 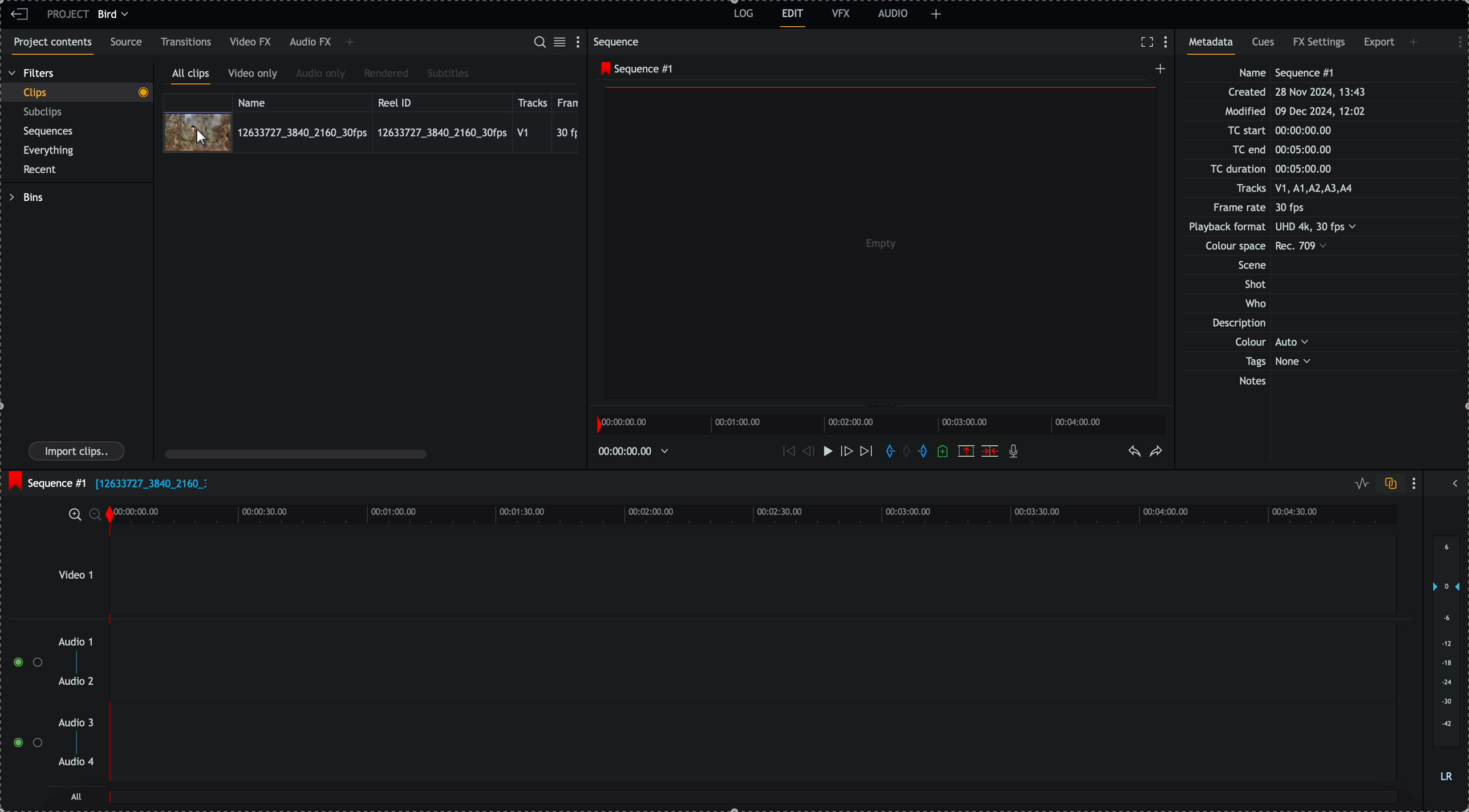 What do you see at coordinates (251, 42) in the screenshot?
I see `video FX` at bounding box center [251, 42].